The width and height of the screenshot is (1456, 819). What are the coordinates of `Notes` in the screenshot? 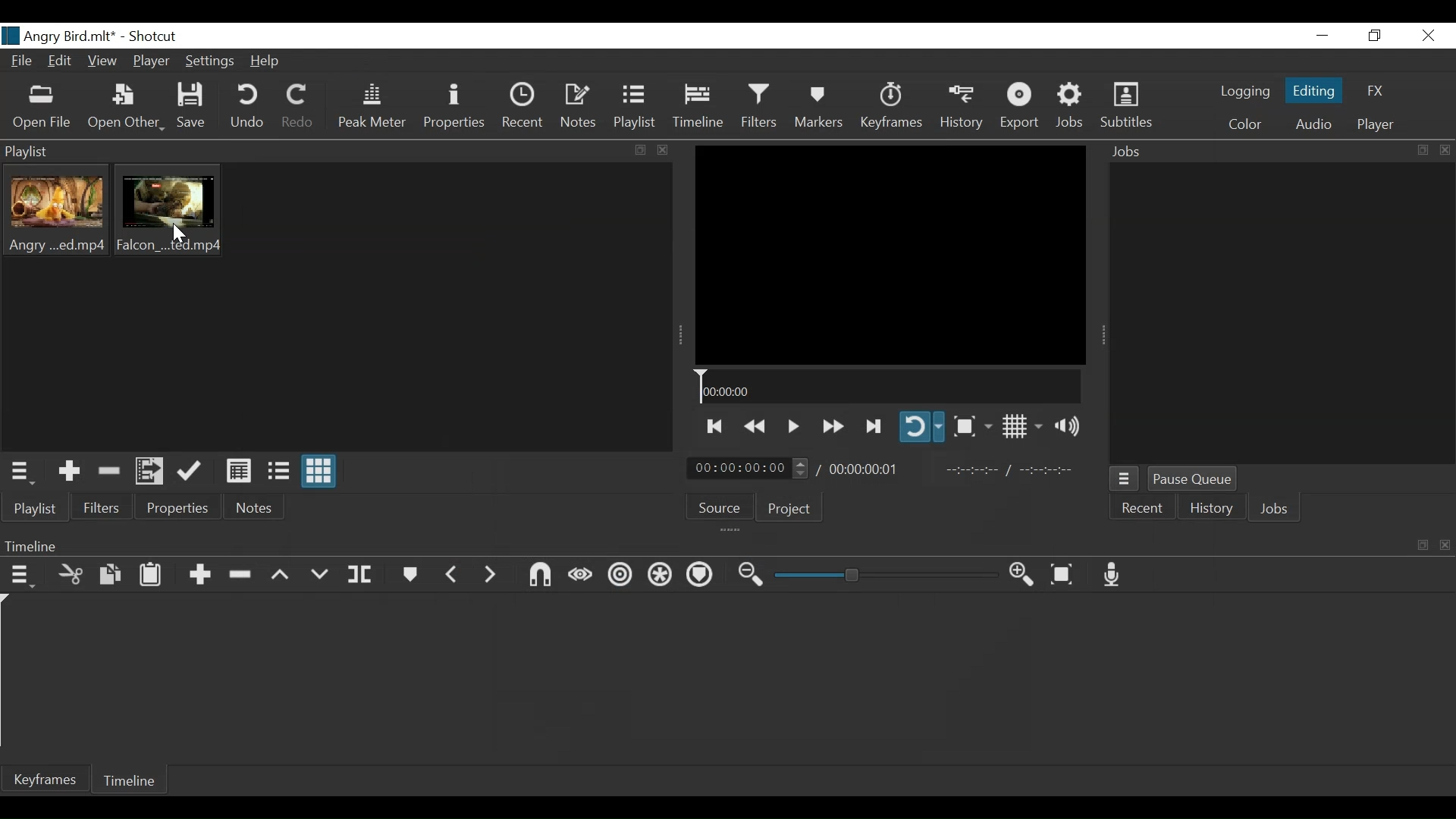 It's located at (579, 106).